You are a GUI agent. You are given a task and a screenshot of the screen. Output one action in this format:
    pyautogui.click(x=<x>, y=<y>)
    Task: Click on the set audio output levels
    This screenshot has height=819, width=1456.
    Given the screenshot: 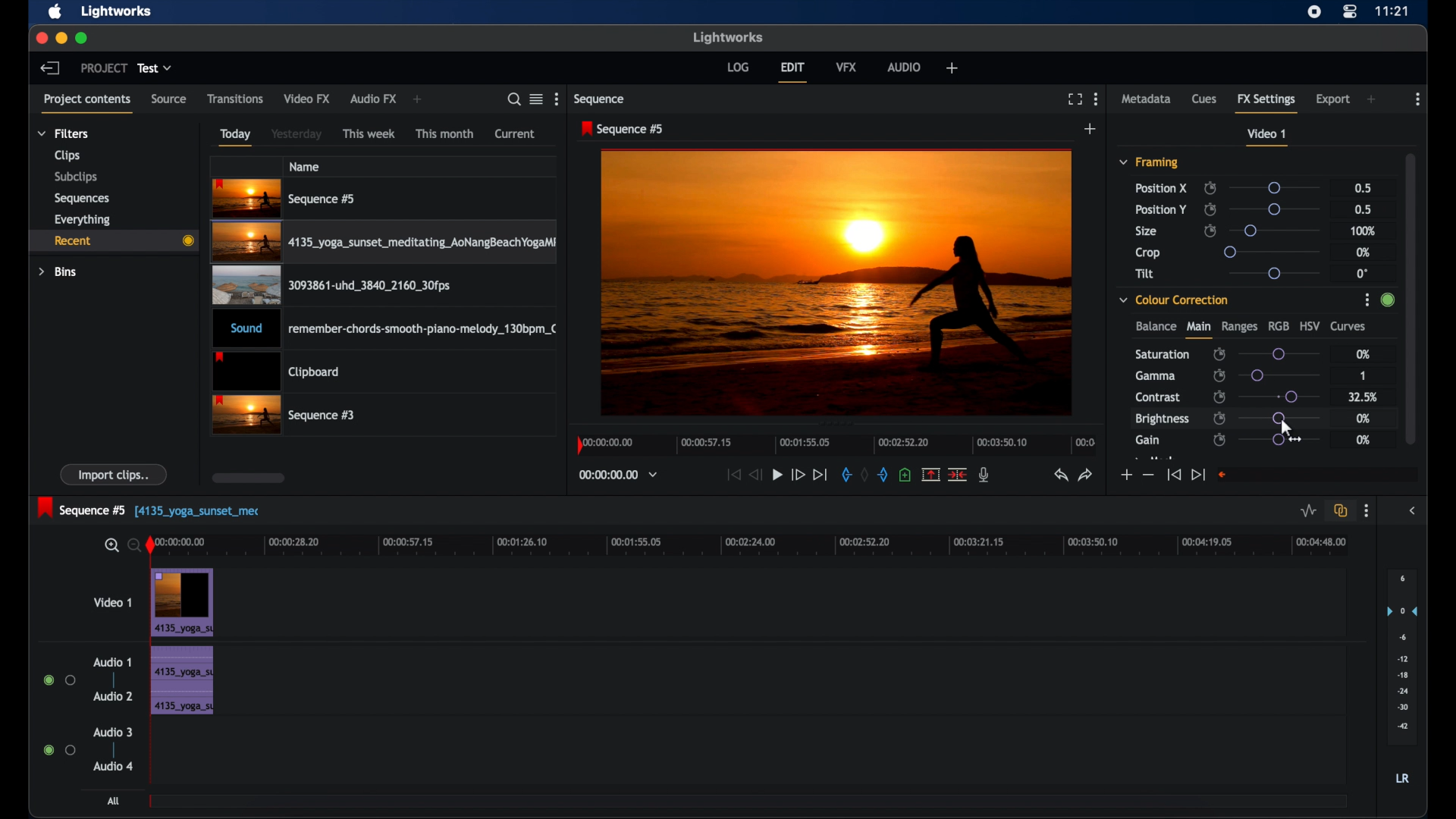 What is the action you would take?
    pyautogui.click(x=1402, y=655)
    